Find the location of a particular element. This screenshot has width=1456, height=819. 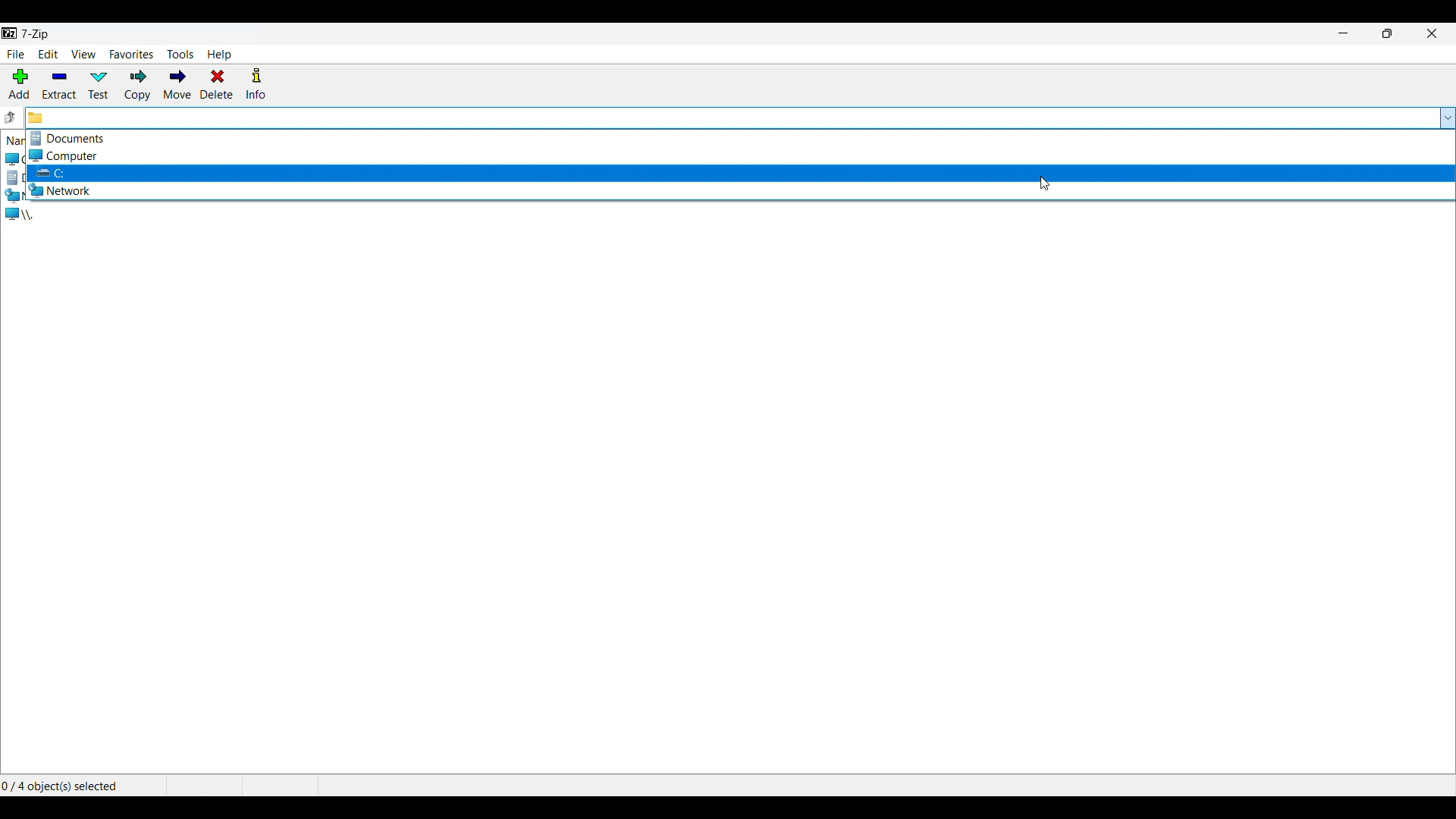

Software name and logo is located at coordinates (9, 34).